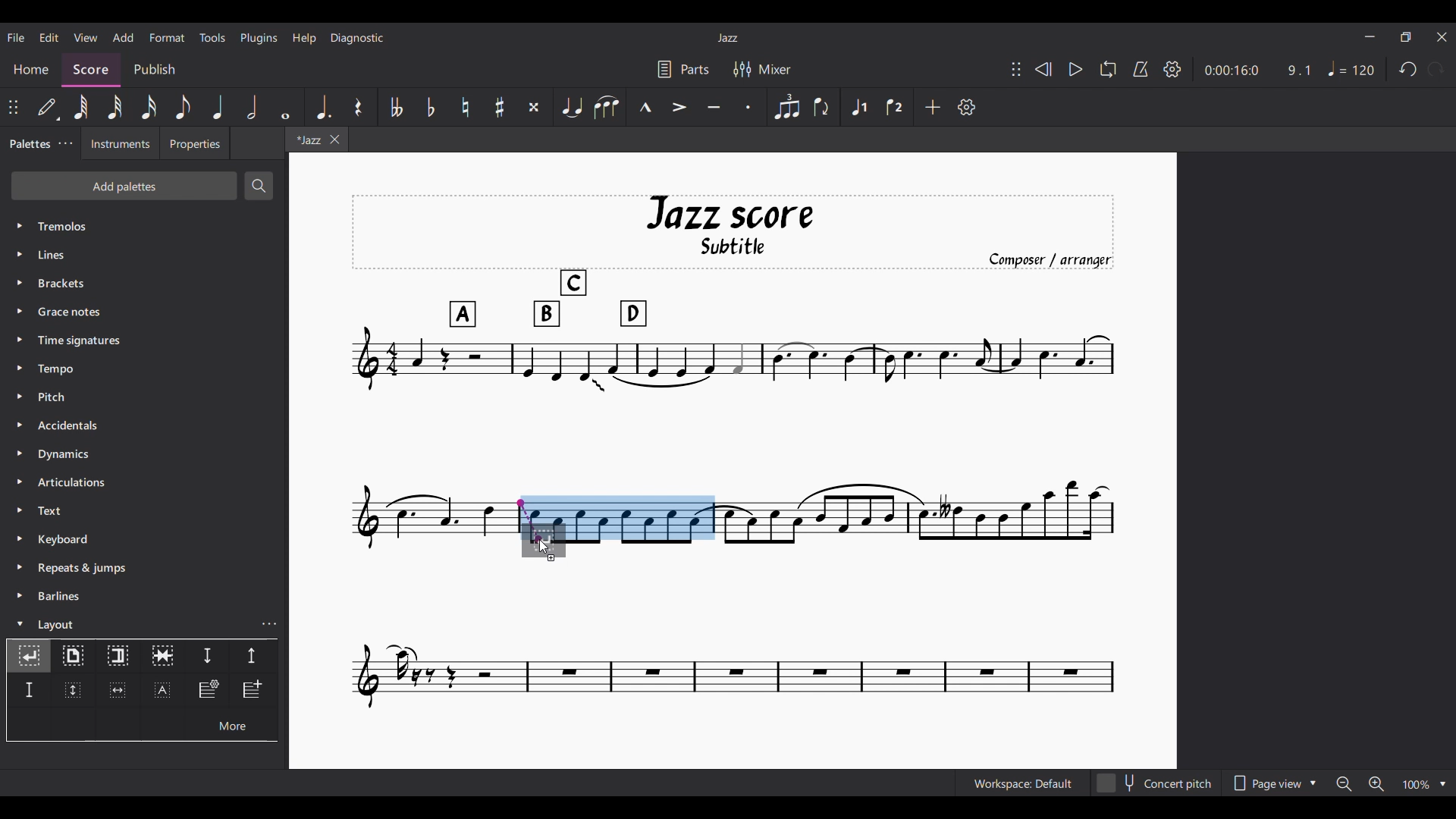 The image size is (1456, 819). What do you see at coordinates (208, 691) in the screenshot?
I see `Hey insert staff type change` at bounding box center [208, 691].